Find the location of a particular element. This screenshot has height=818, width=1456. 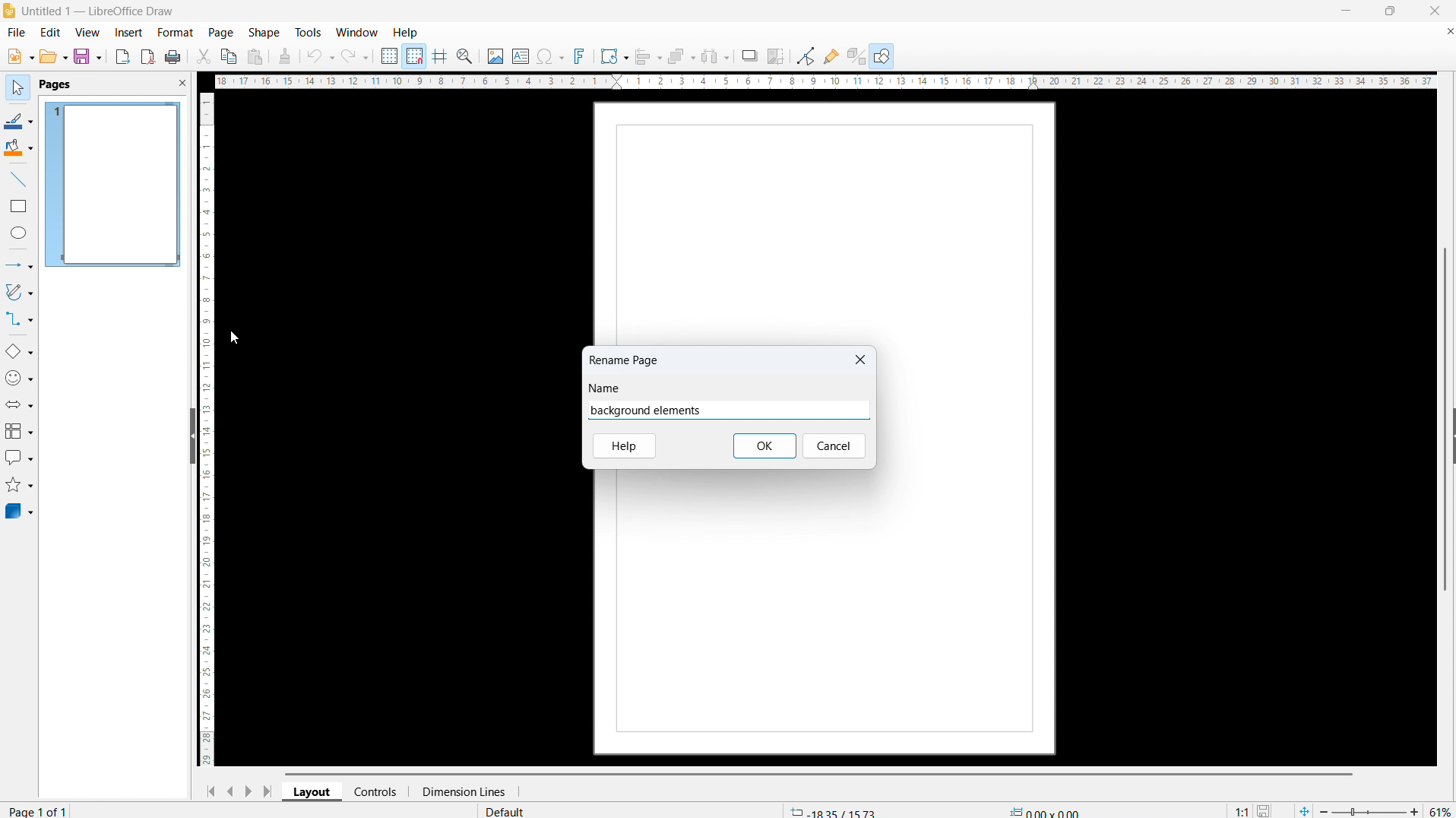

crop is located at coordinates (777, 55).